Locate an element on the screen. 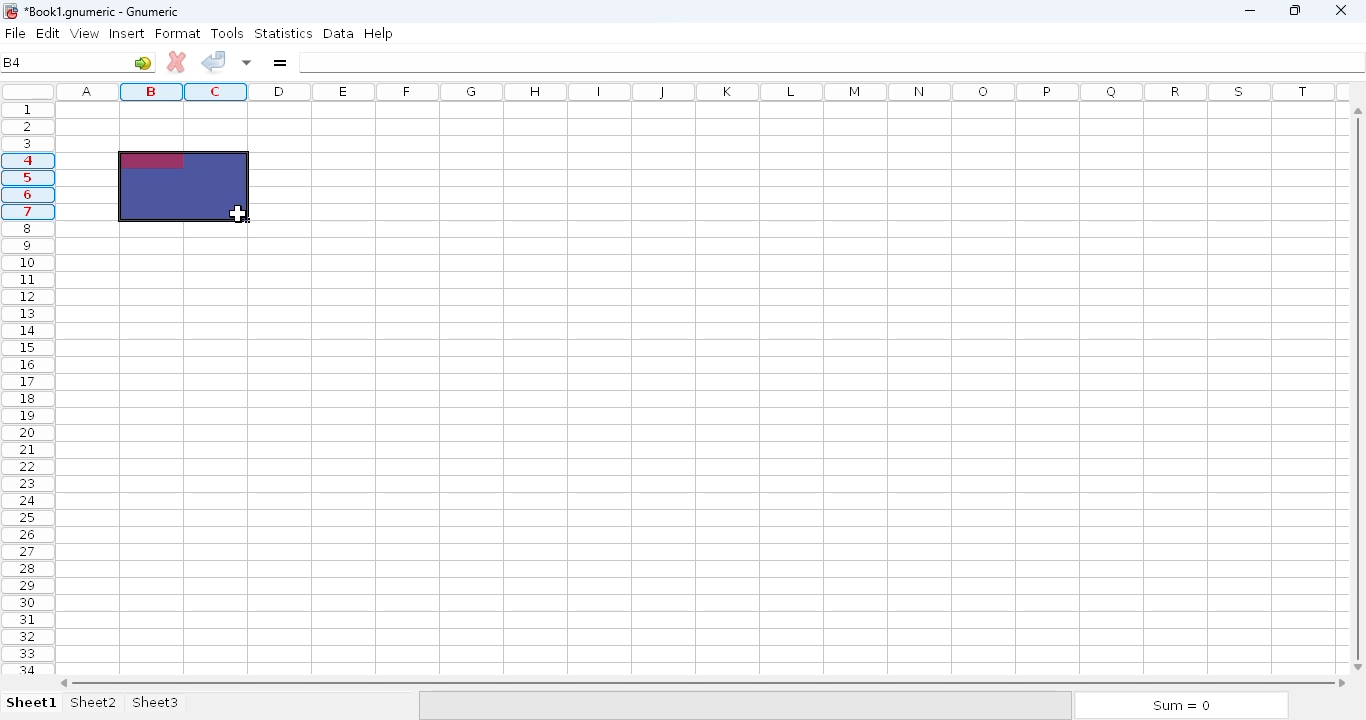  cursor is located at coordinates (239, 213).